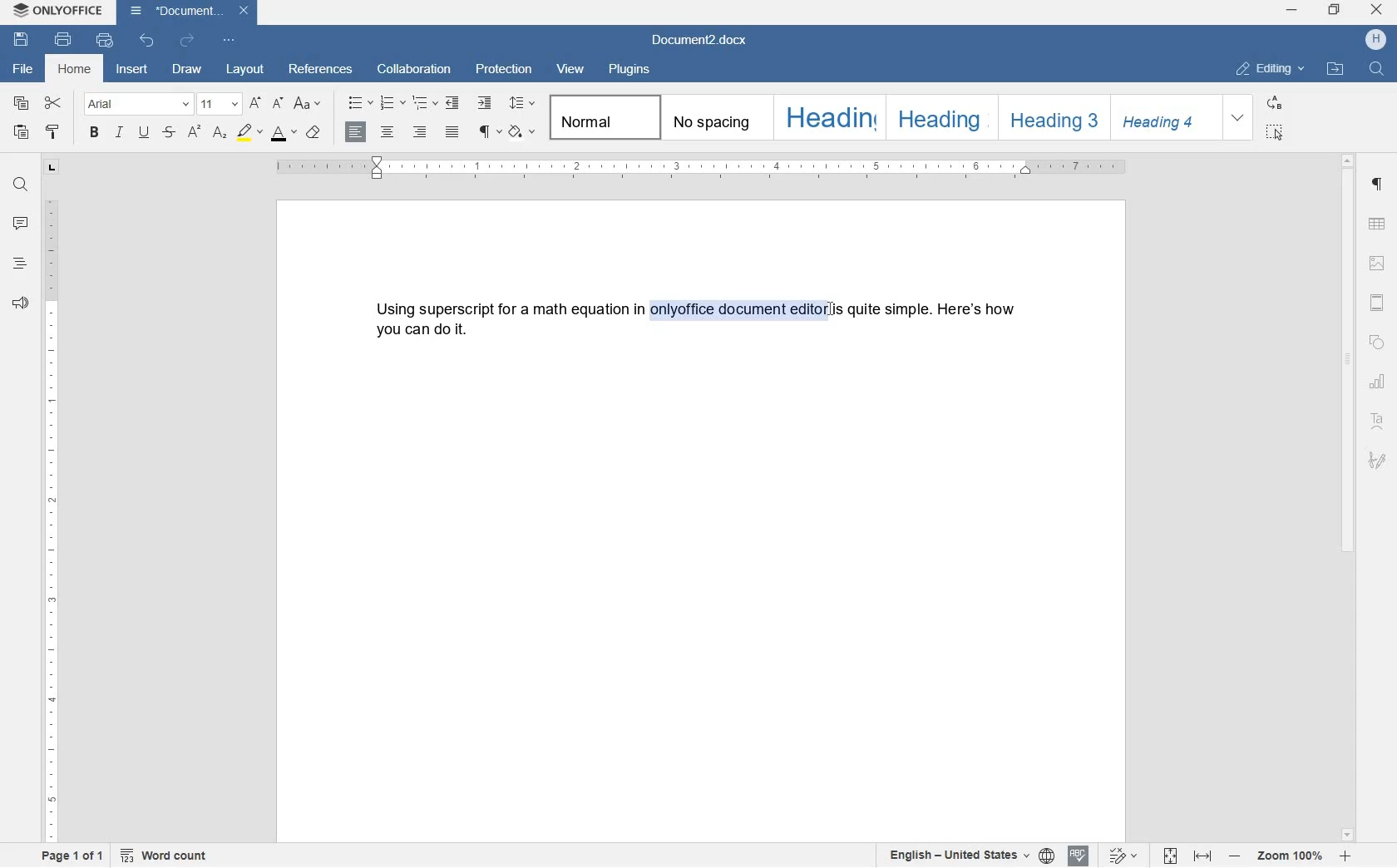 This screenshot has height=868, width=1397. What do you see at coordinates (421, 132) in the screenshot?
I see `align right` at bounding box center [421, 132].